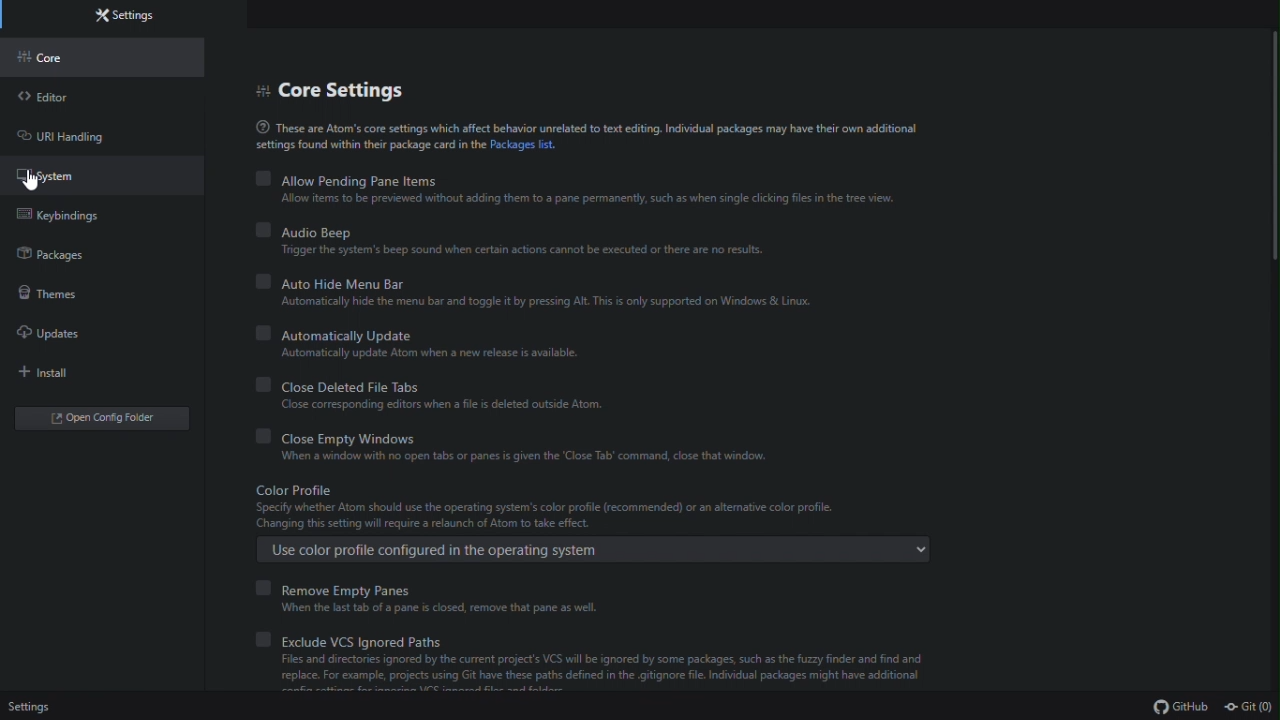  What do you see at coordinates (436, 609) in the screenshot?
I see `When the last tab of a pane is closed, remove that pane as well.` at bounding box center [436, 609].